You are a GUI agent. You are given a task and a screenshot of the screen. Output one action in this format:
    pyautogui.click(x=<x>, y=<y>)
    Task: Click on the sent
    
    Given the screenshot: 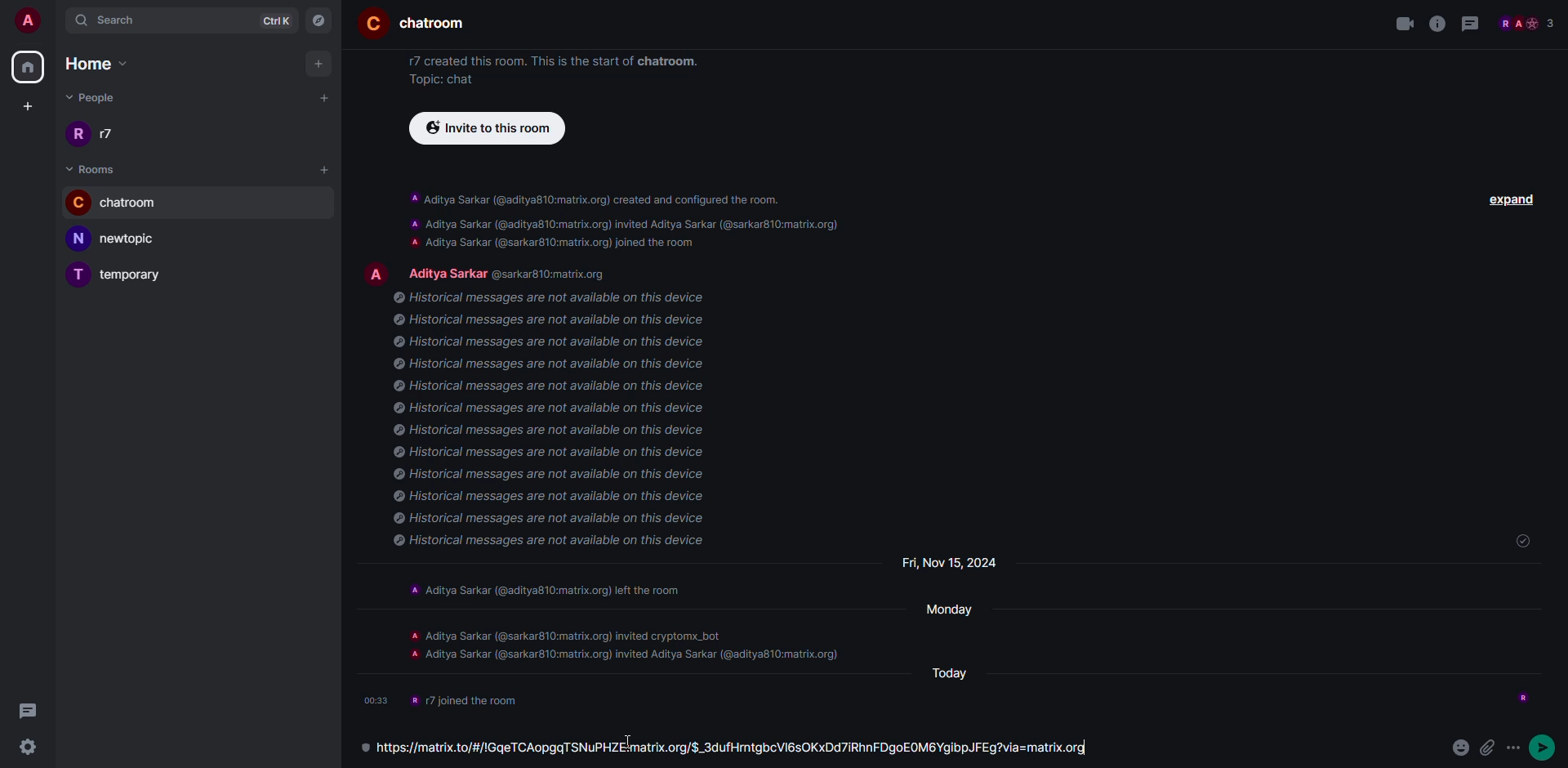 What is the action you would take?
    pyautogui.click(x=1519, y=542)
    